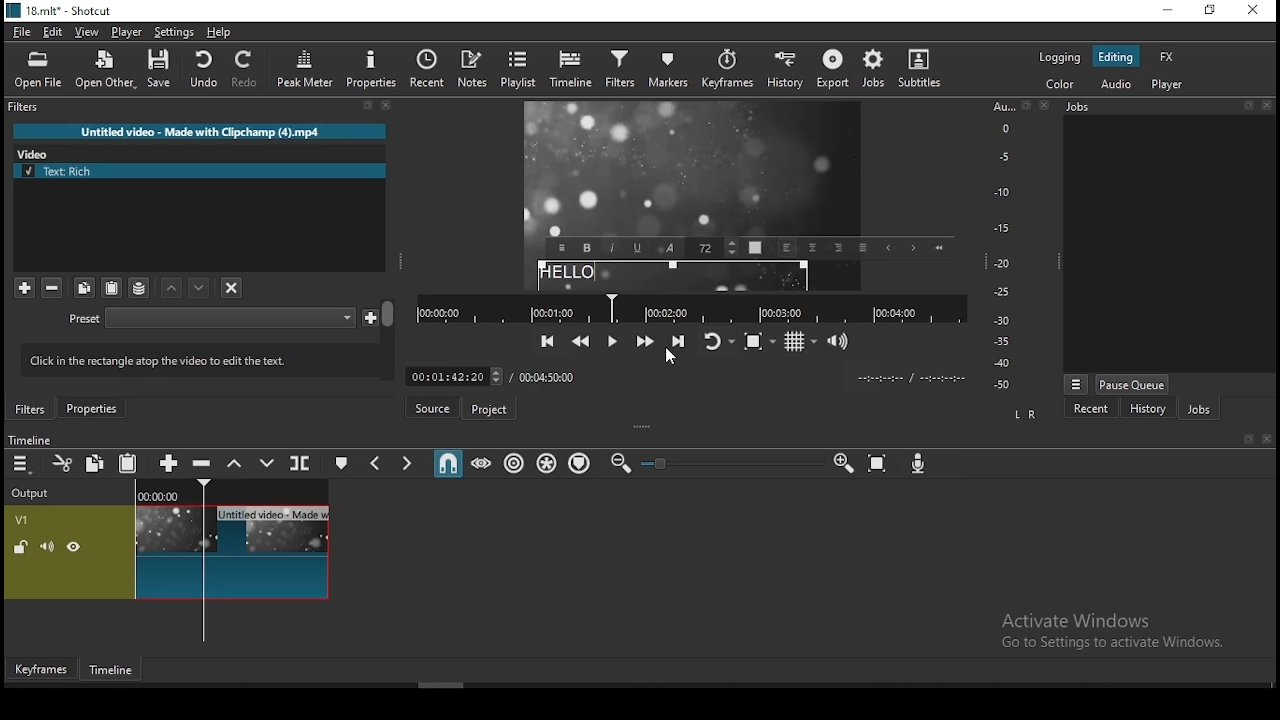  What do you see at coordinates (1092, 408) in the screenshot?
I see `recent` at bounding box center [1092, 408].